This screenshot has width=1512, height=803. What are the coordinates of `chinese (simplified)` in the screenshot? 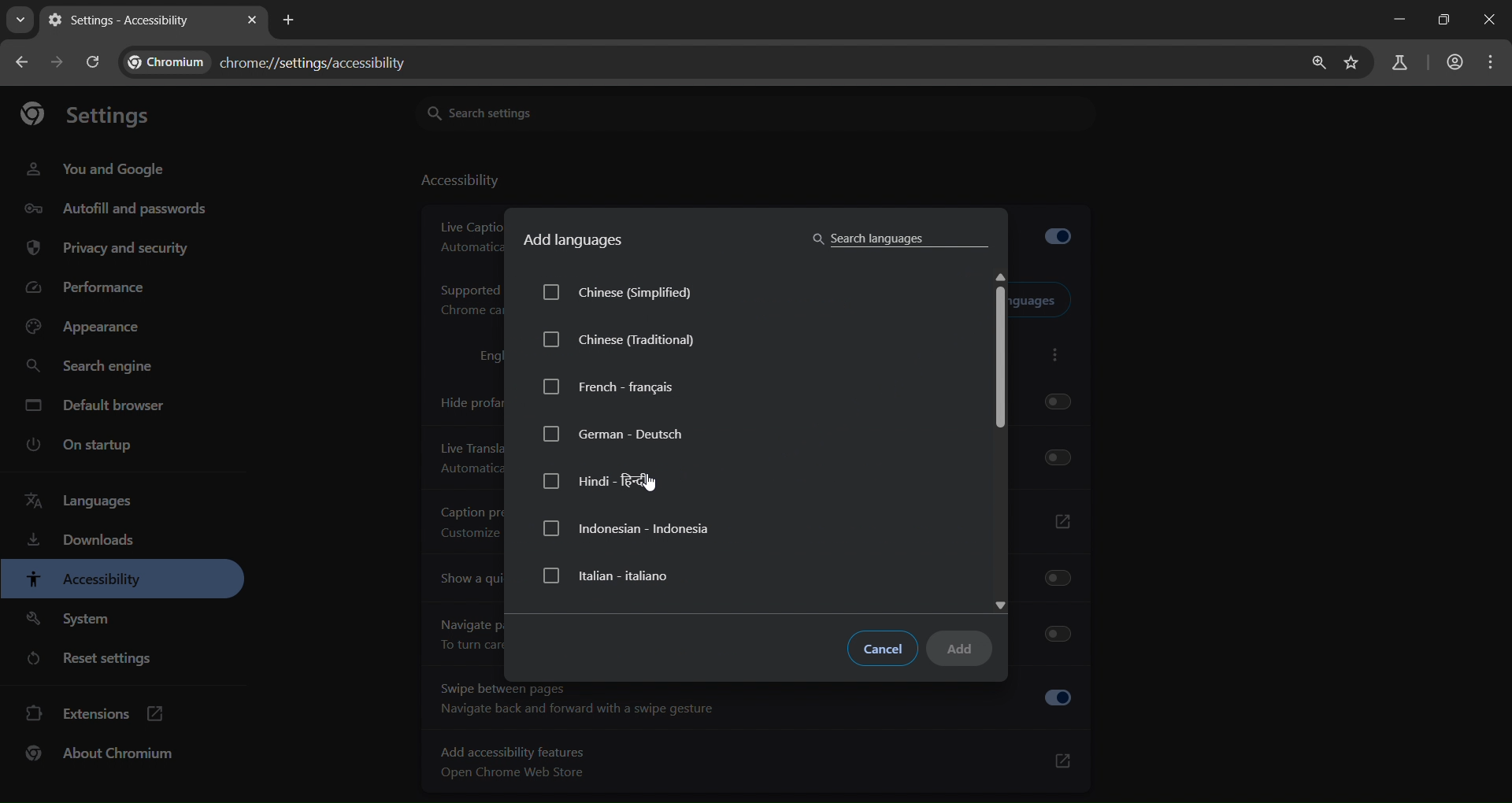 It's located at (634, 294).